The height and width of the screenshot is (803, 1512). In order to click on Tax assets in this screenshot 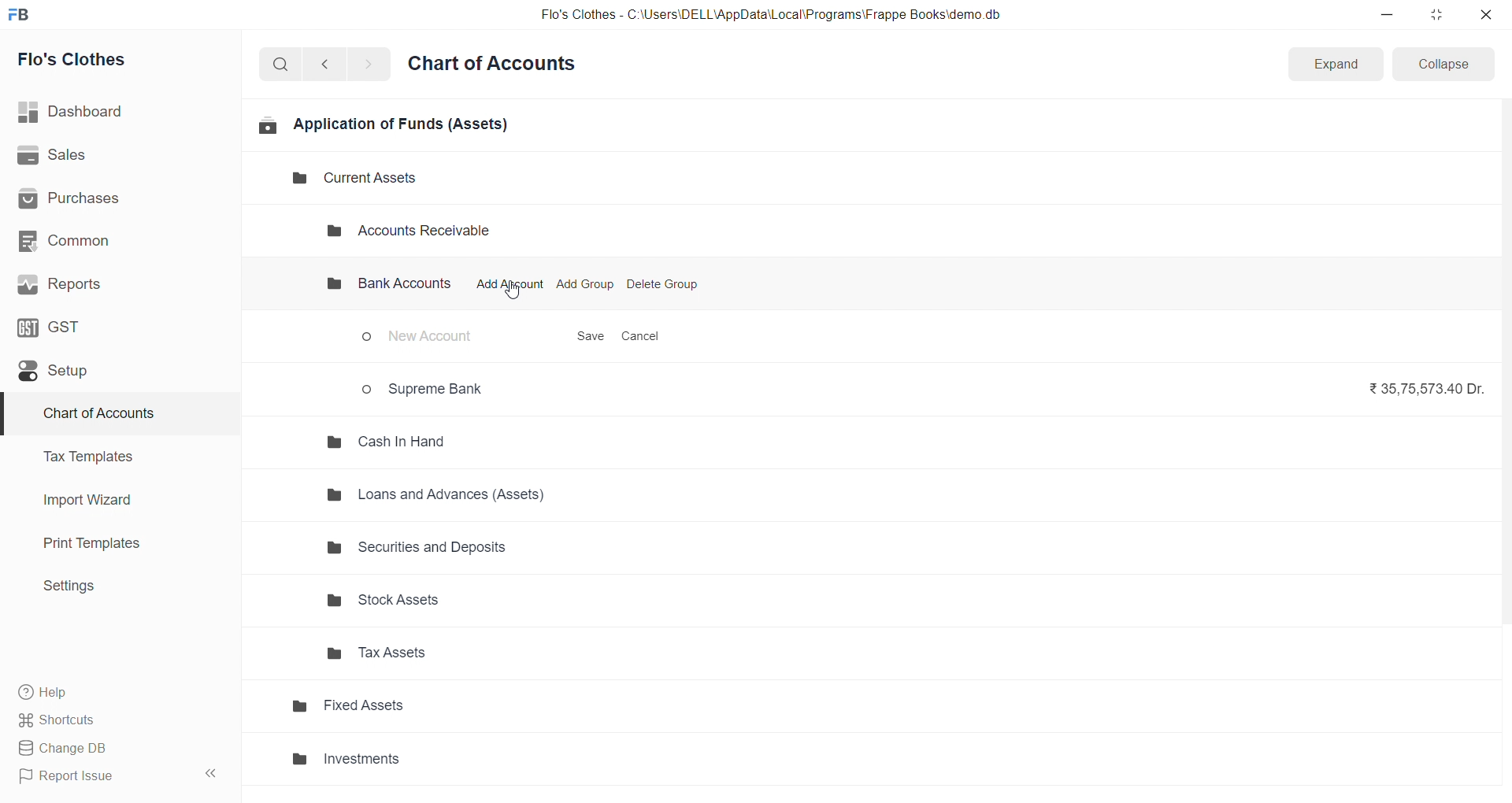, I will do `click(450, 658)`.